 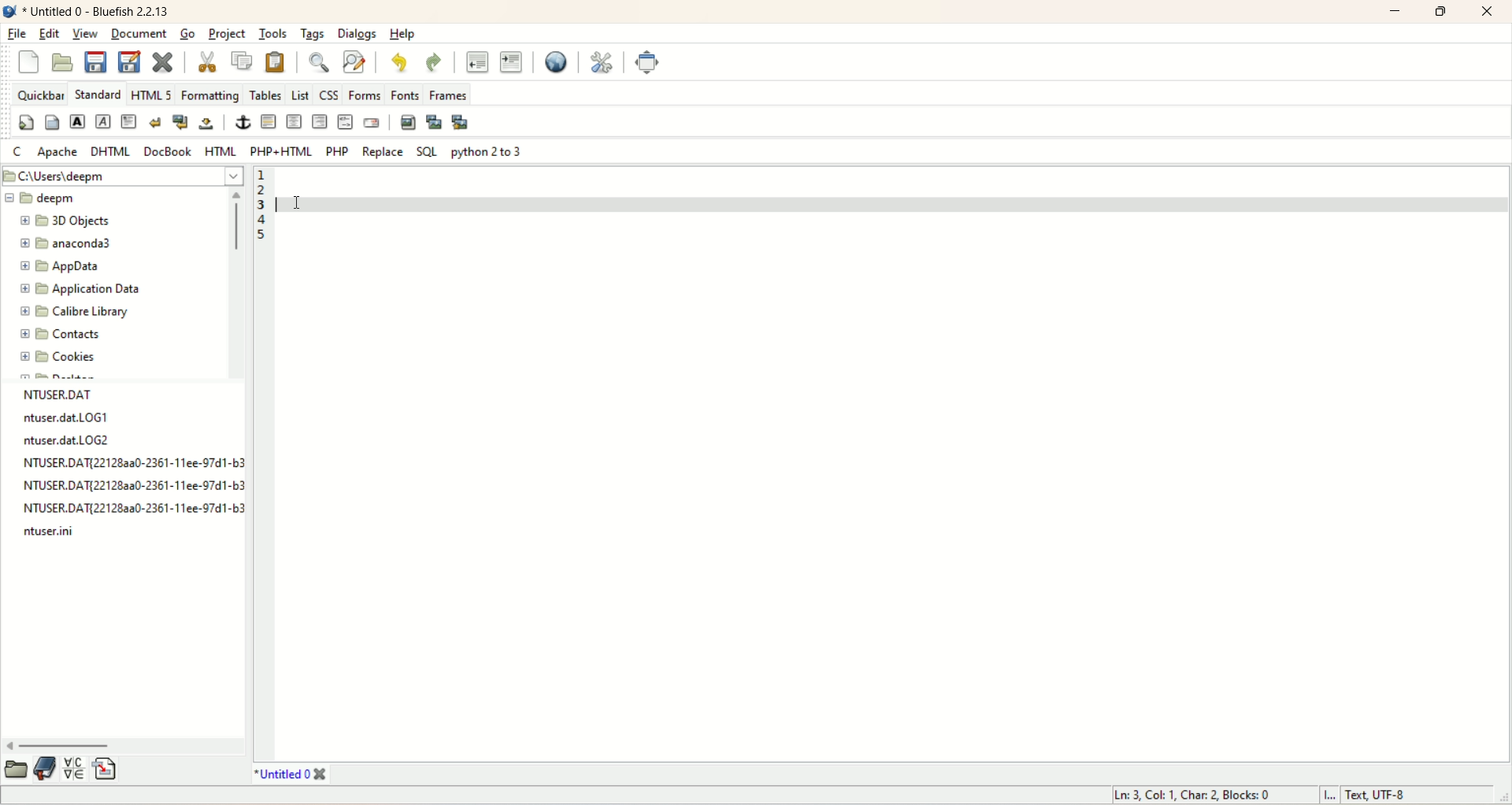 I want to click on fullscreen, so click(x=647, y=63).